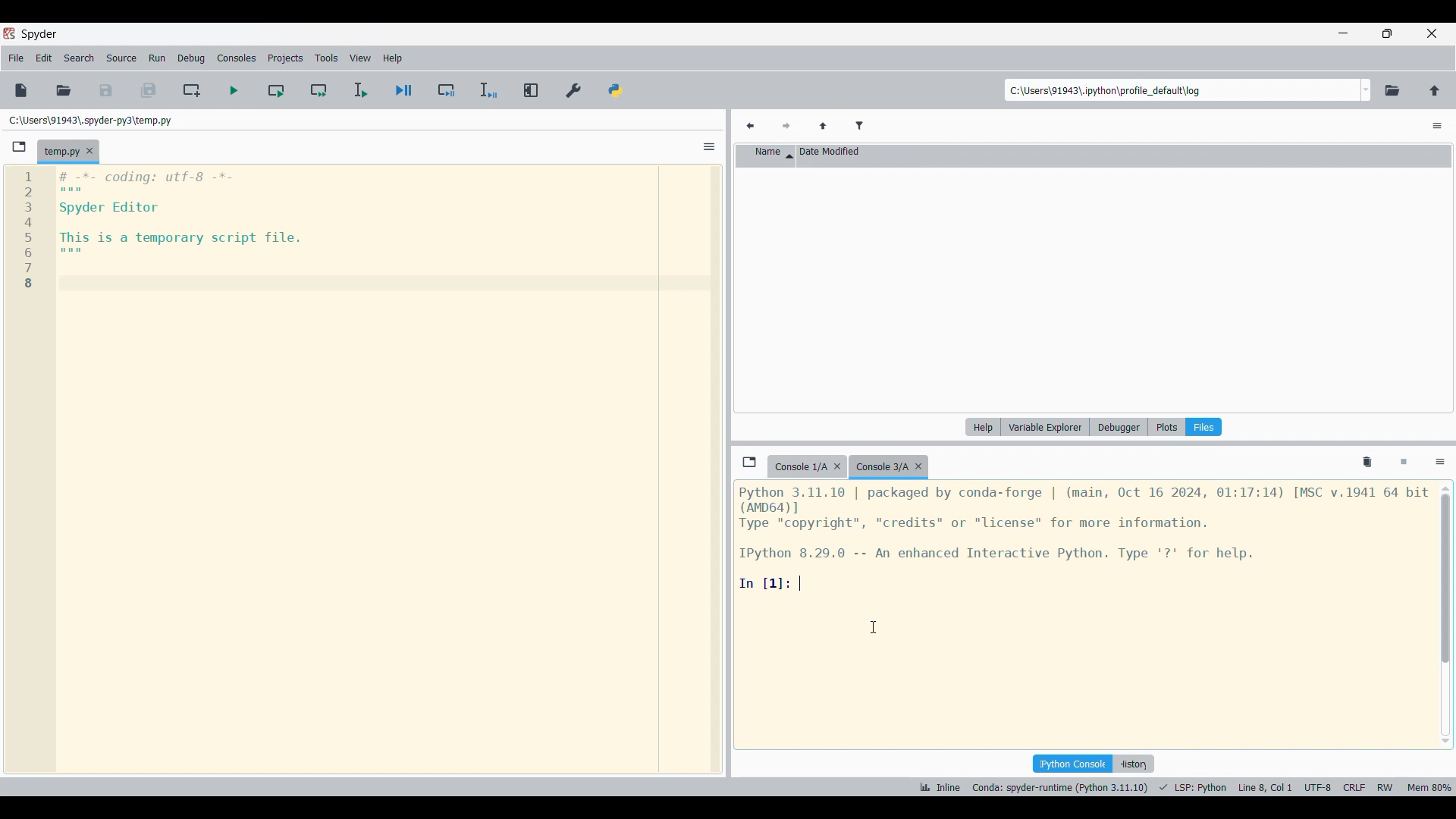 Image resolution: width=1456 pixels, height=819 pixels. Describe the element at coordinates (360, 90) in the screenshot. I see `Run selection/current line` at that location.